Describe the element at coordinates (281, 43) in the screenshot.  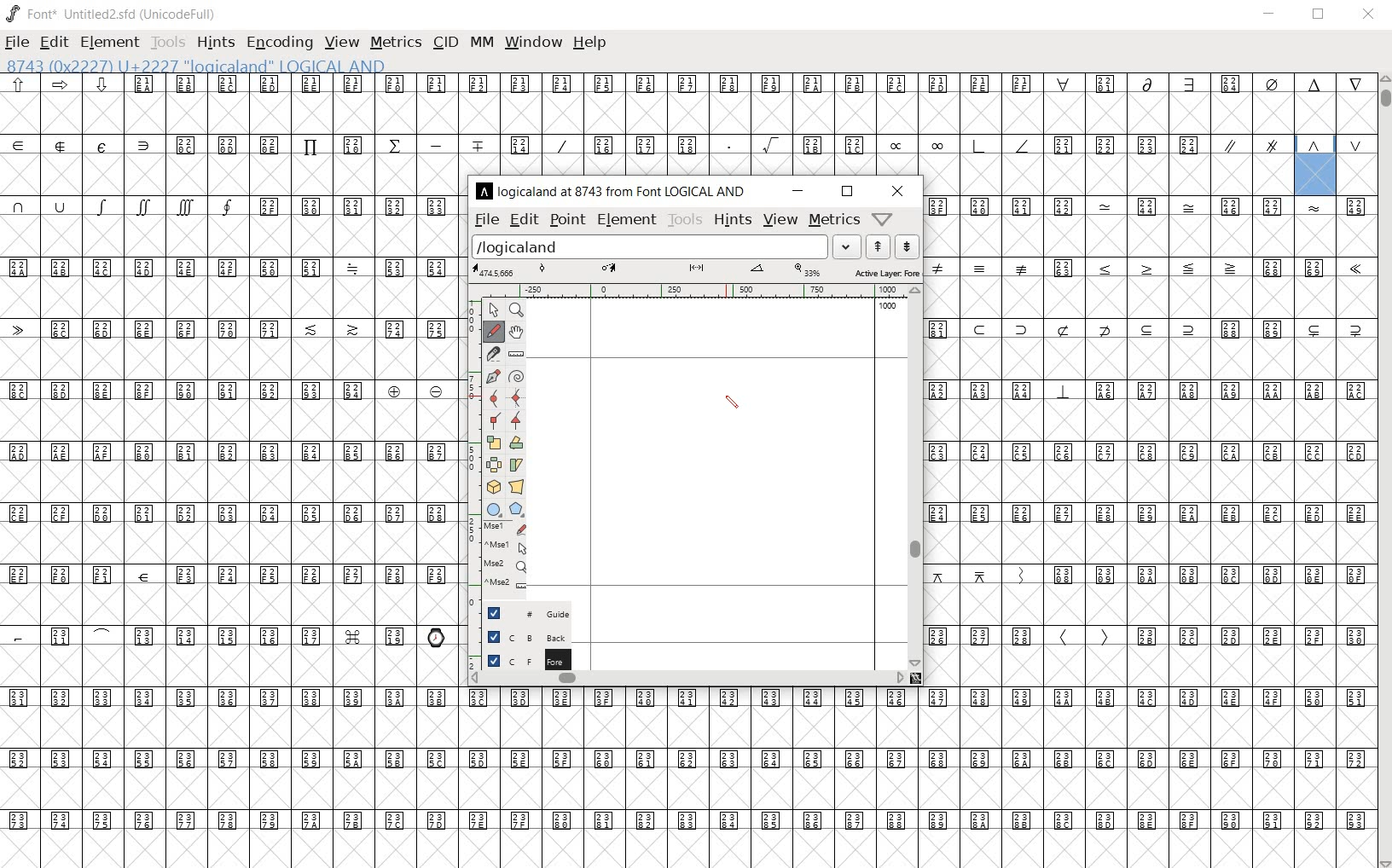
I see `encoding` at that location.